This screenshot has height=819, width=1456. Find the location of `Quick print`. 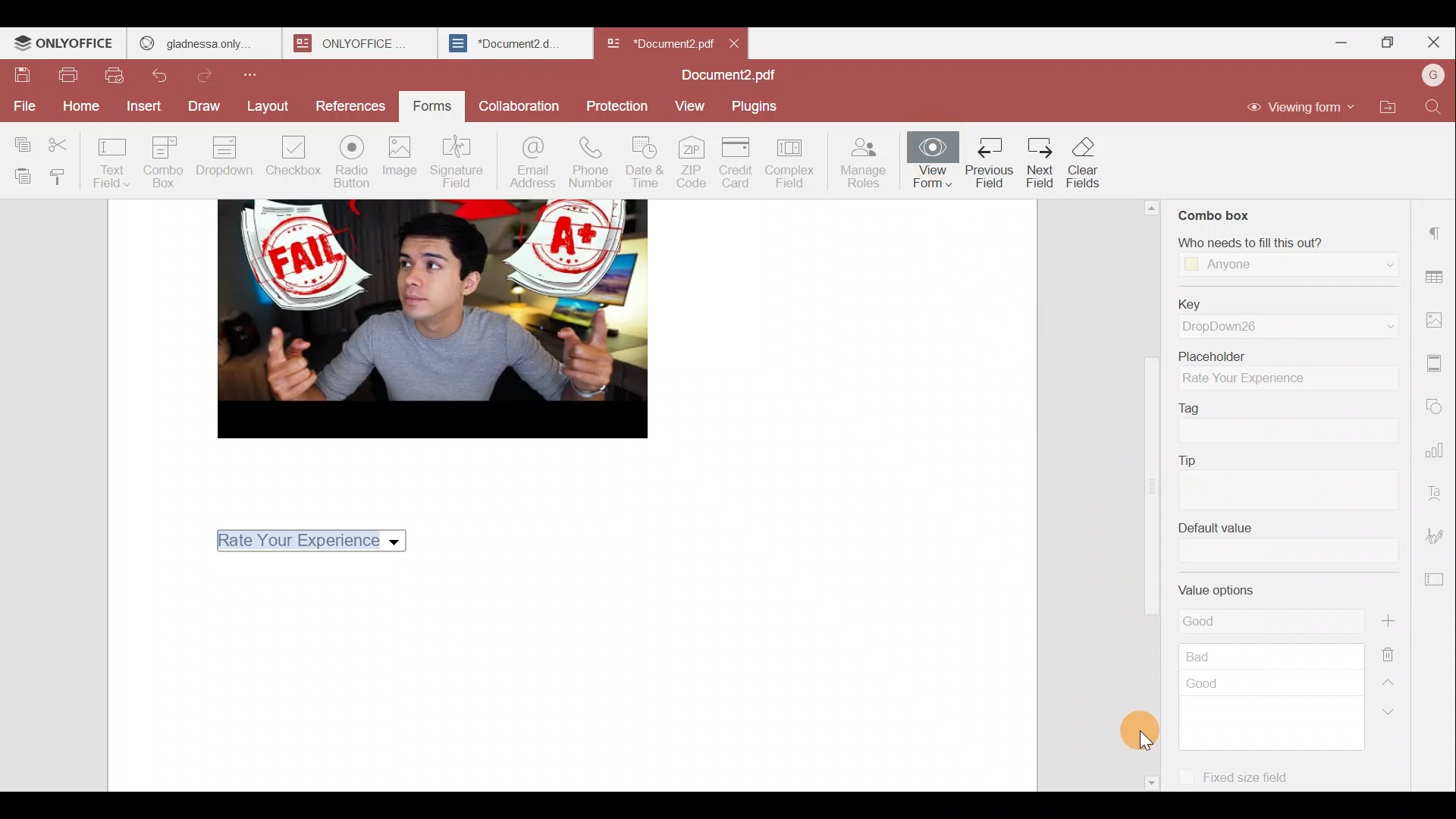

Quick print is located at coordinates (114, 76).